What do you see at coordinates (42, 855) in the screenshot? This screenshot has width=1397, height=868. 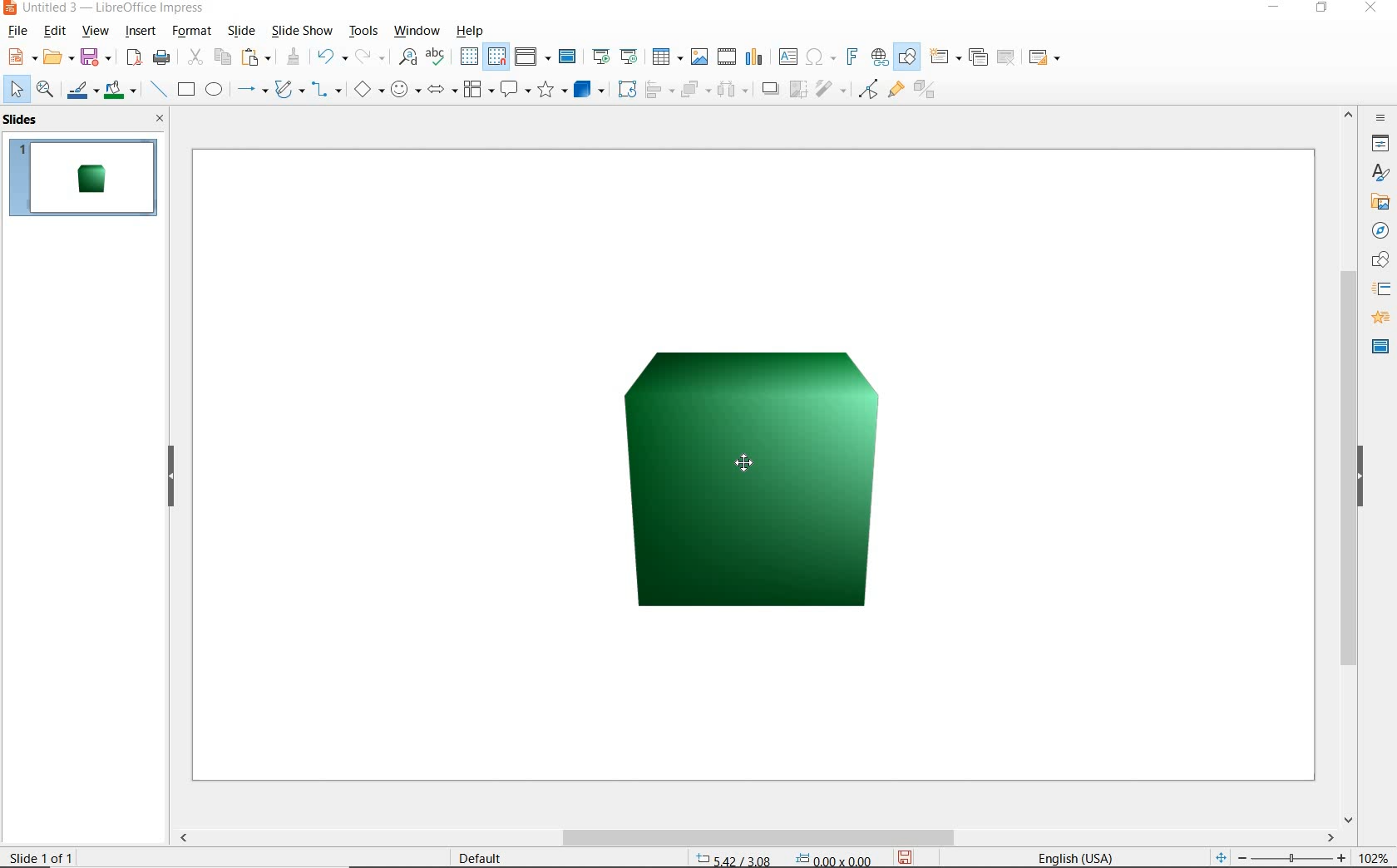 I see `SLIDE 1 OF 1` at bounding box center [42, 855].